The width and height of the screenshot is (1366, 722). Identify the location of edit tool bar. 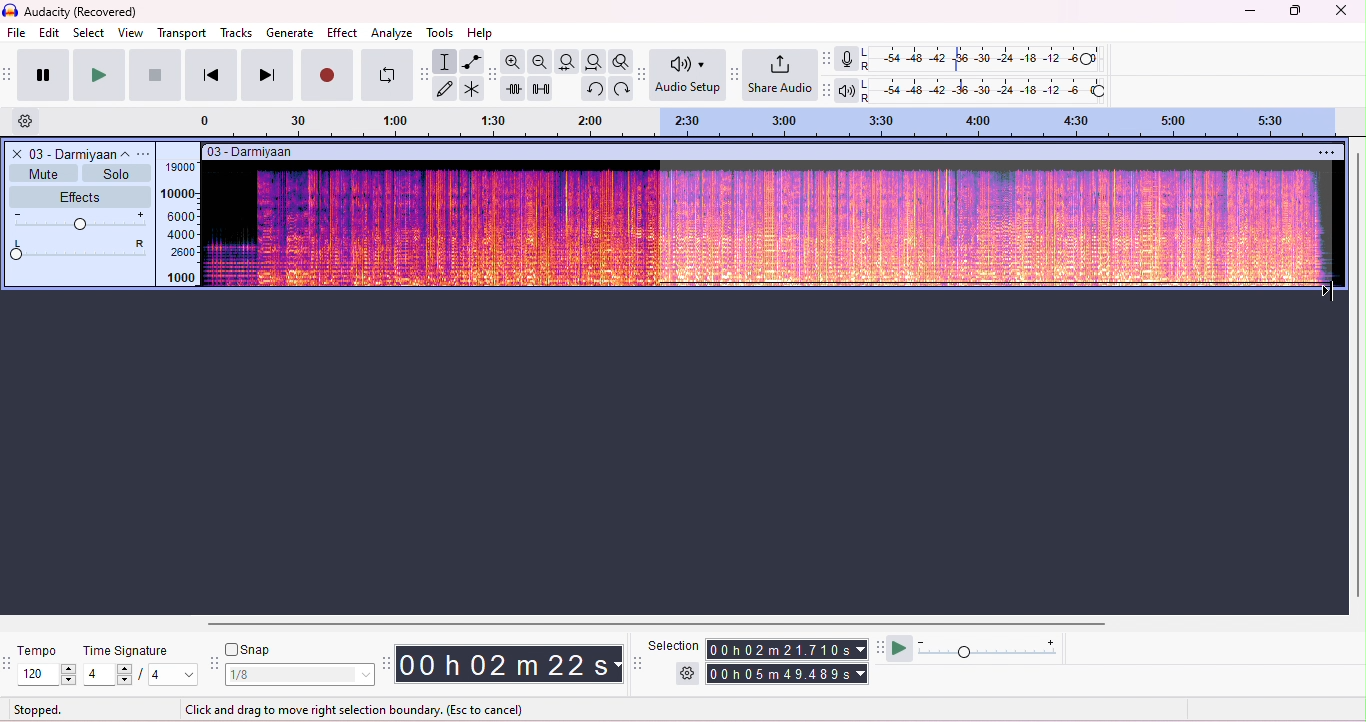
(493, 76).